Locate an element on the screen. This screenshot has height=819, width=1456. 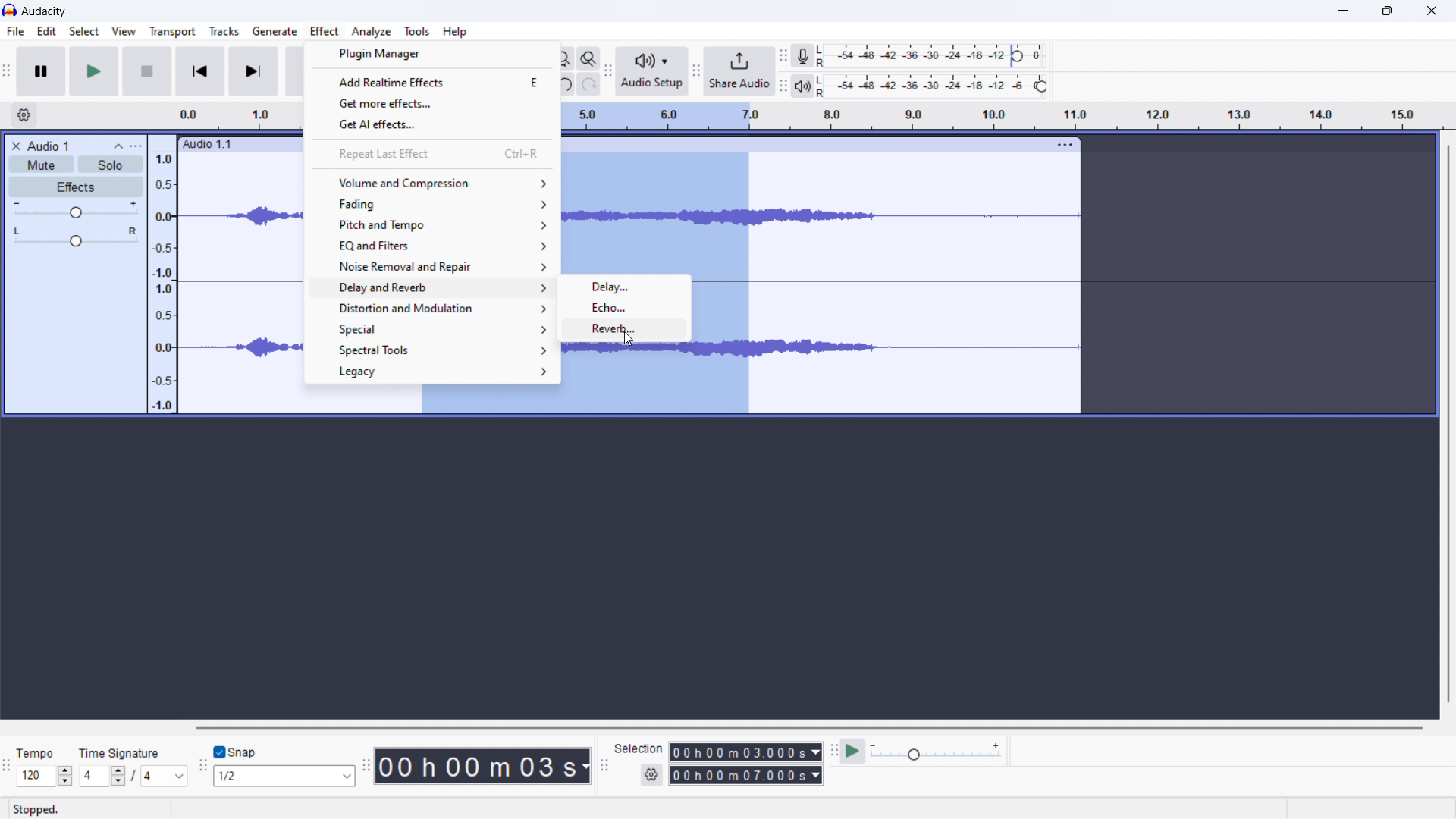
time signature is located at coordinates (120, 753).